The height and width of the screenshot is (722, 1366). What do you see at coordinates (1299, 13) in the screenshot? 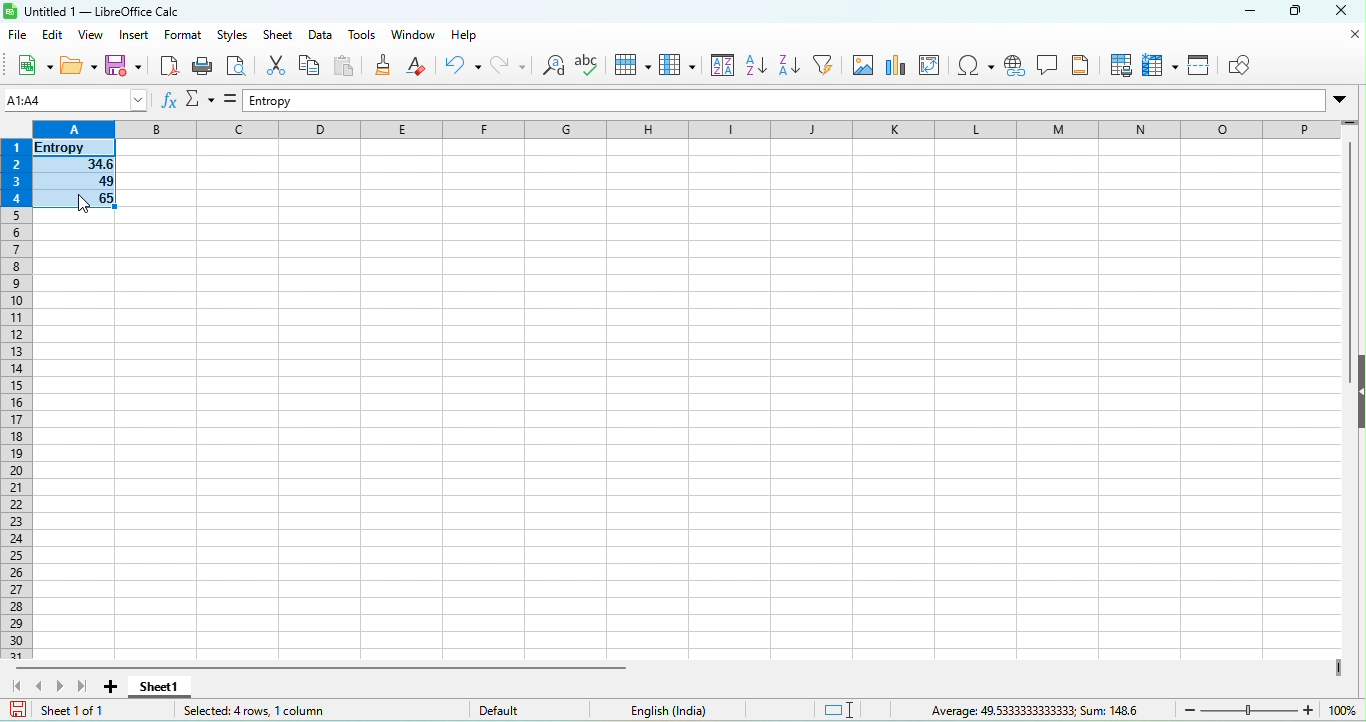
I see `maximize` at bounding box center [1299, 13].